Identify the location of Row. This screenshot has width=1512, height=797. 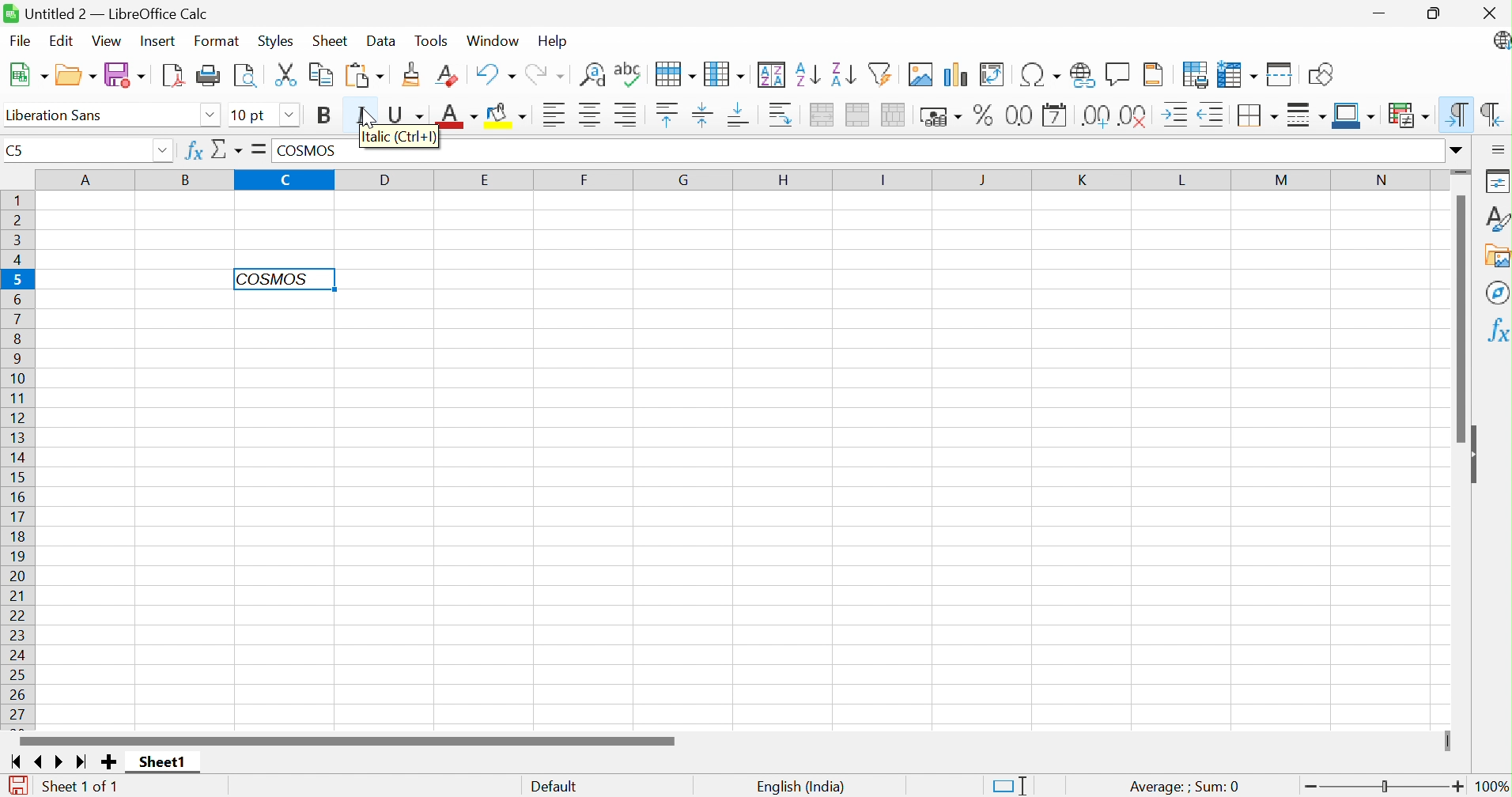
(676, 76).